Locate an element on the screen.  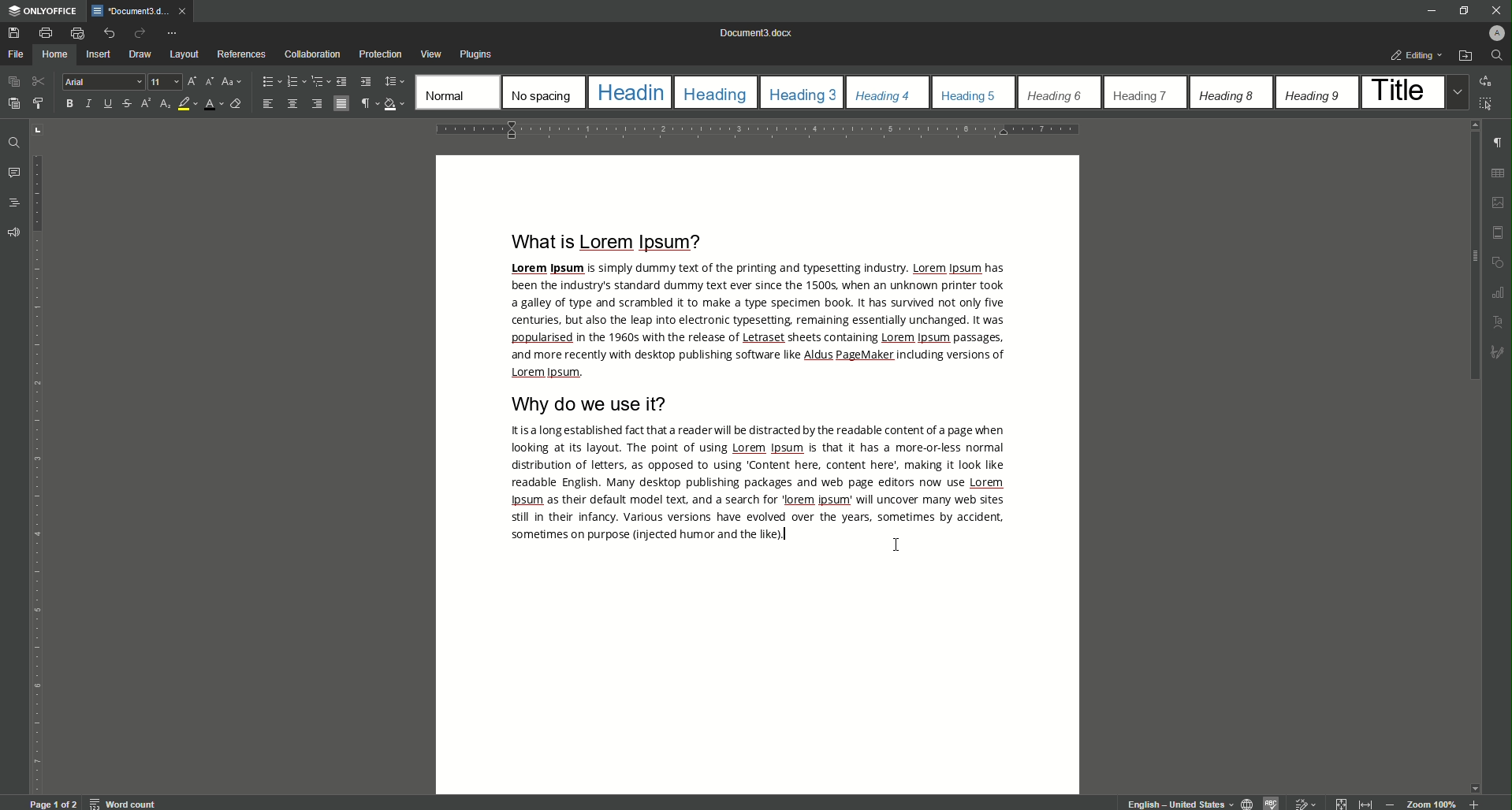
Heading 9 is located at coordinates (1313, 96).